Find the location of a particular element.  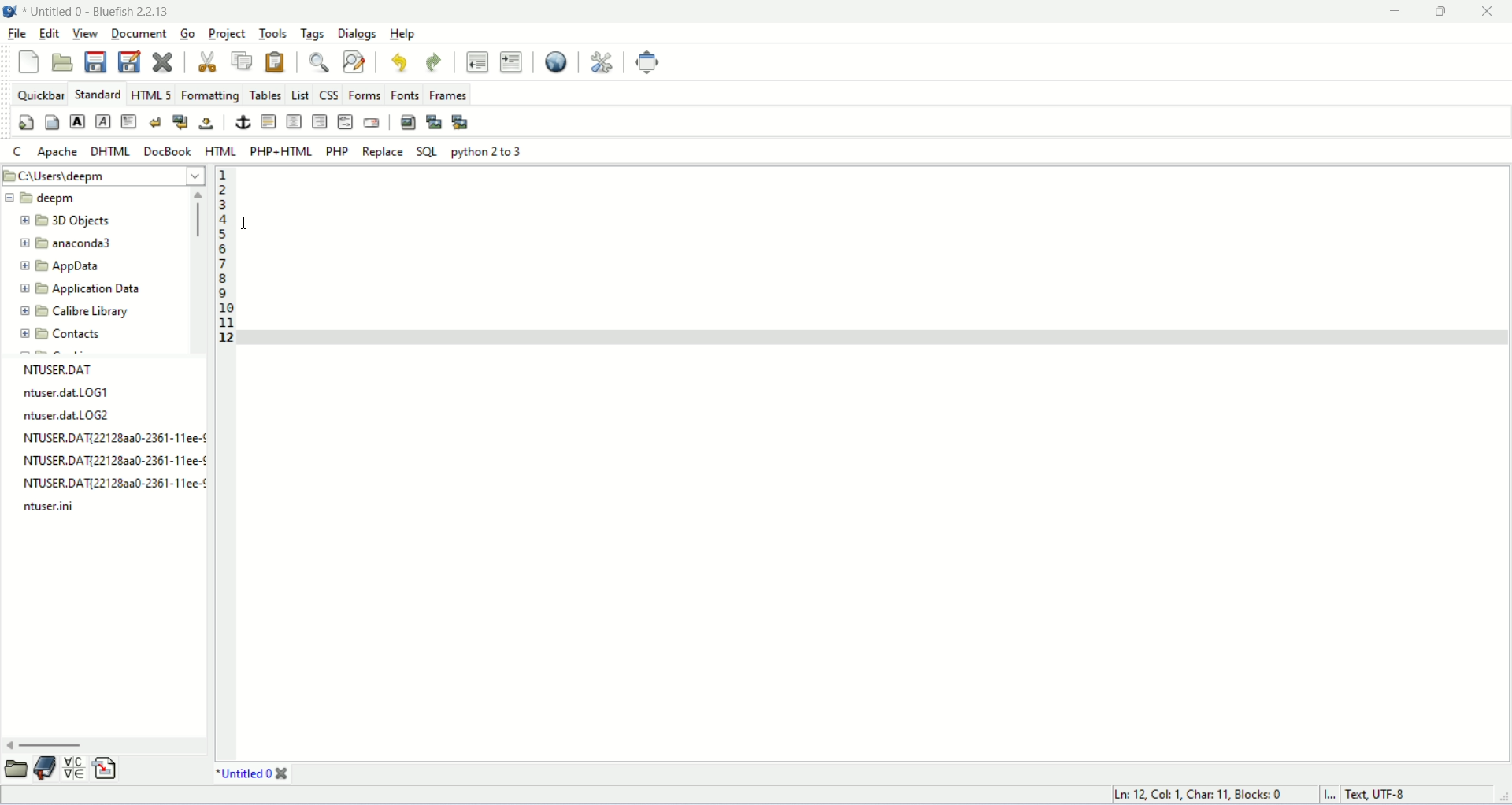

horizontal rule is located at coordinates (266, 120).